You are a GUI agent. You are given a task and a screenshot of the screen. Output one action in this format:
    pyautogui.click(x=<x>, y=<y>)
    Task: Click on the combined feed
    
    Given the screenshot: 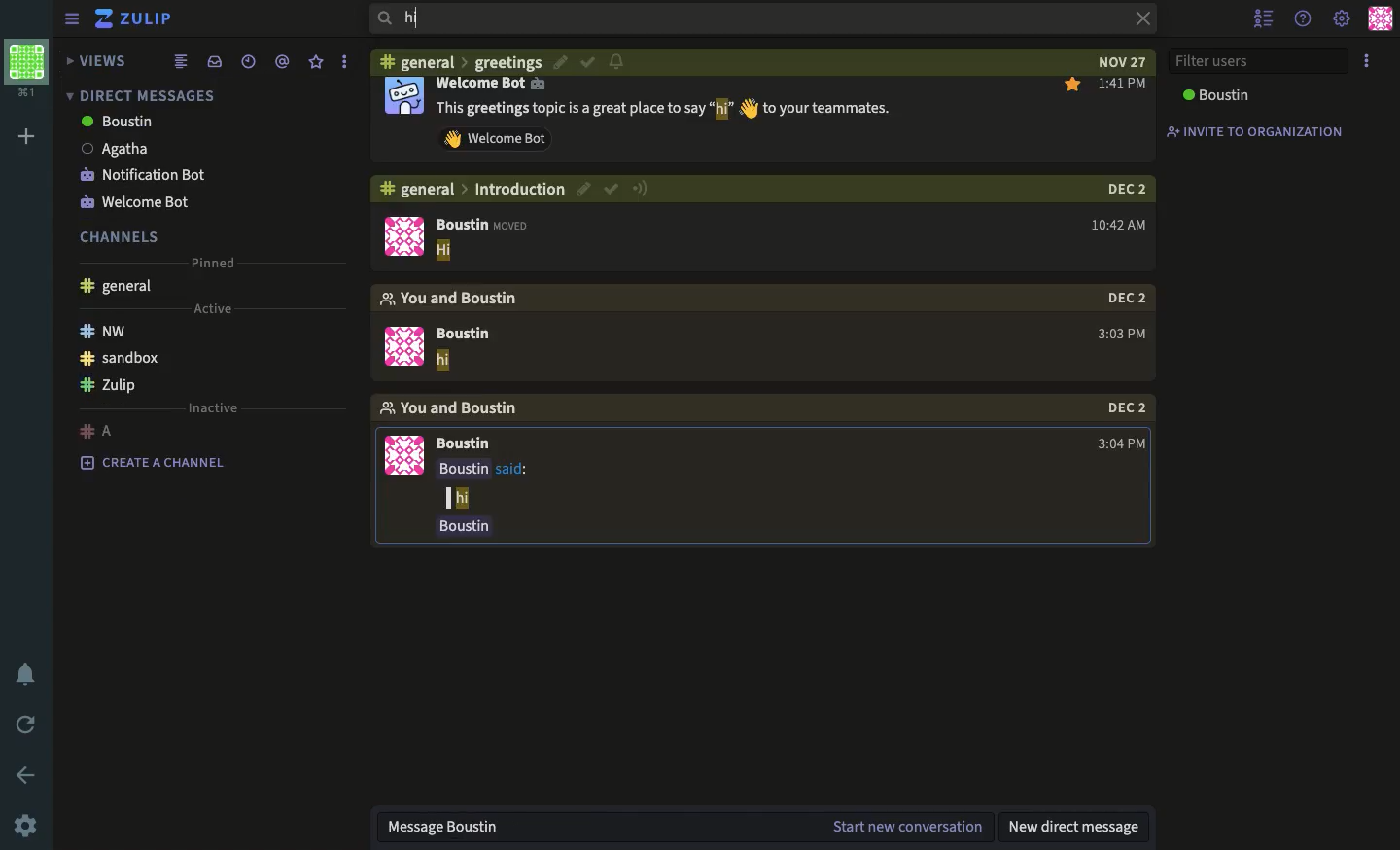 What is the action you would take?
    pyautogui.click(x=179, y=60)
    